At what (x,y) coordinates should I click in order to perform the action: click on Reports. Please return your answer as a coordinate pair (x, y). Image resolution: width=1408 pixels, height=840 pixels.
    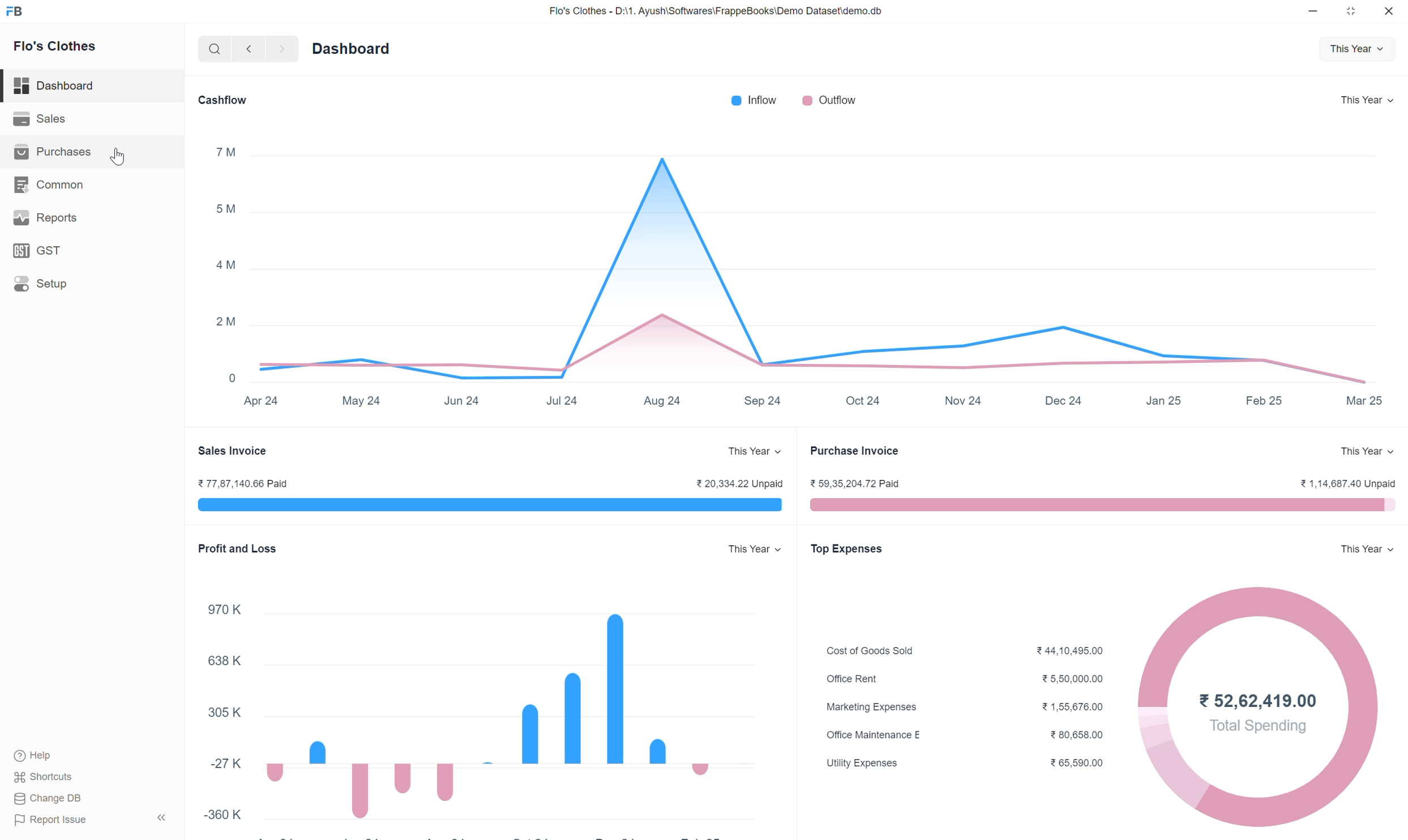
    Looking at the image, I should click on (92, 218).